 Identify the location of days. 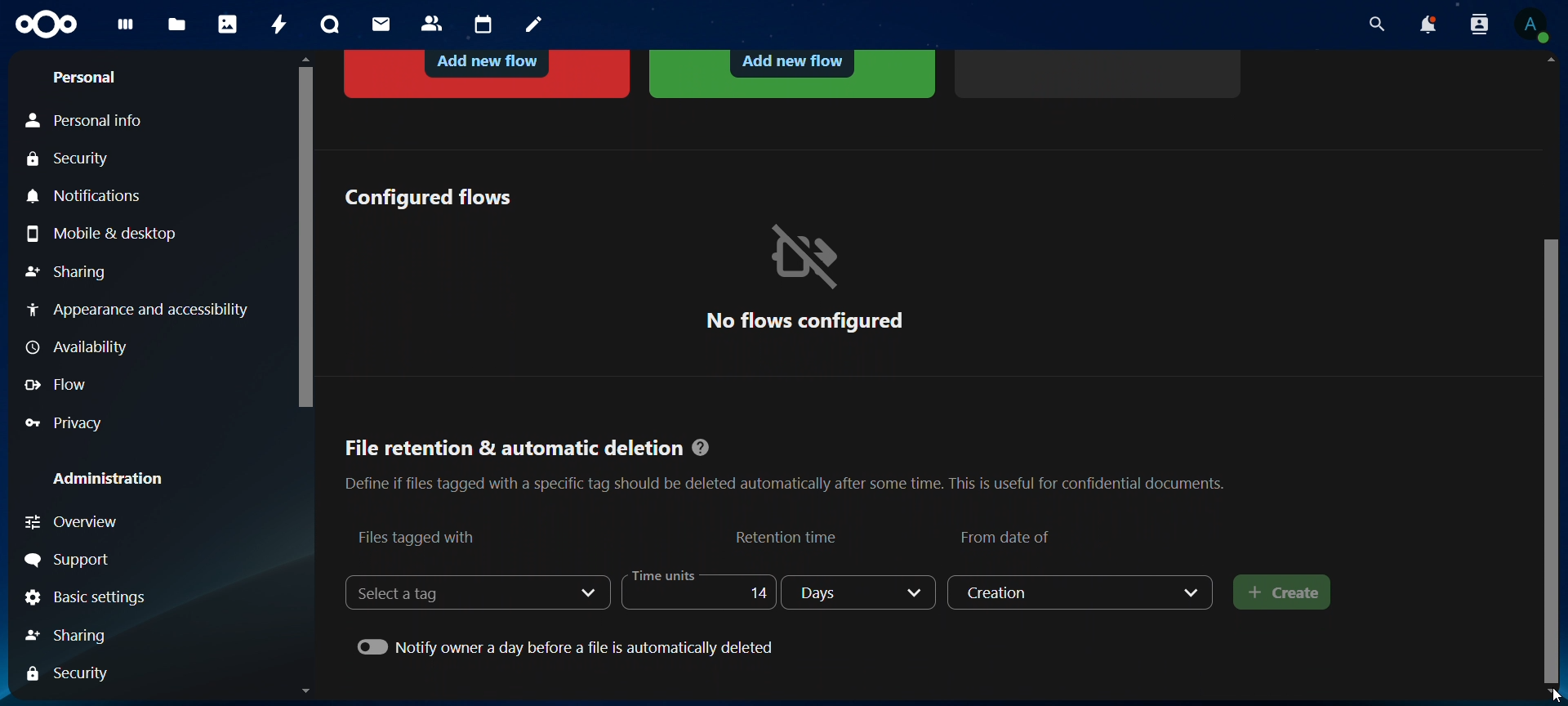
(861, 593).